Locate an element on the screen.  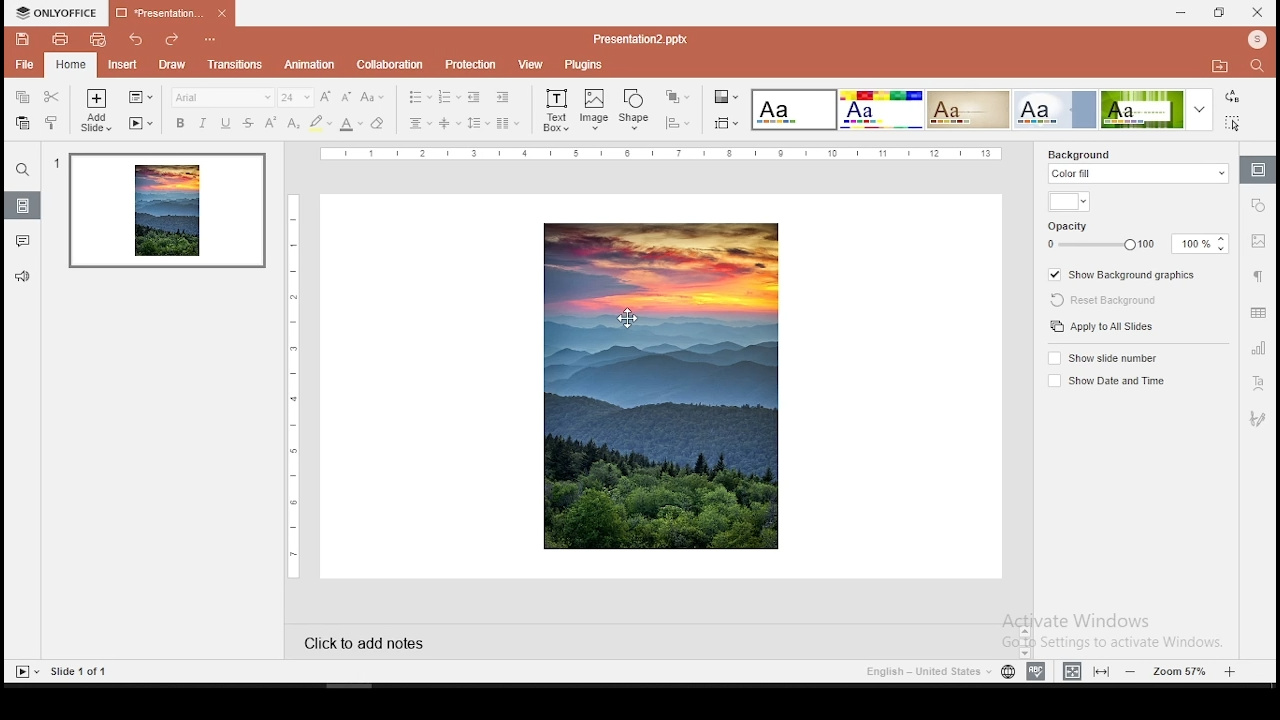
paragraph settings is located at coordinates (1256, 276).